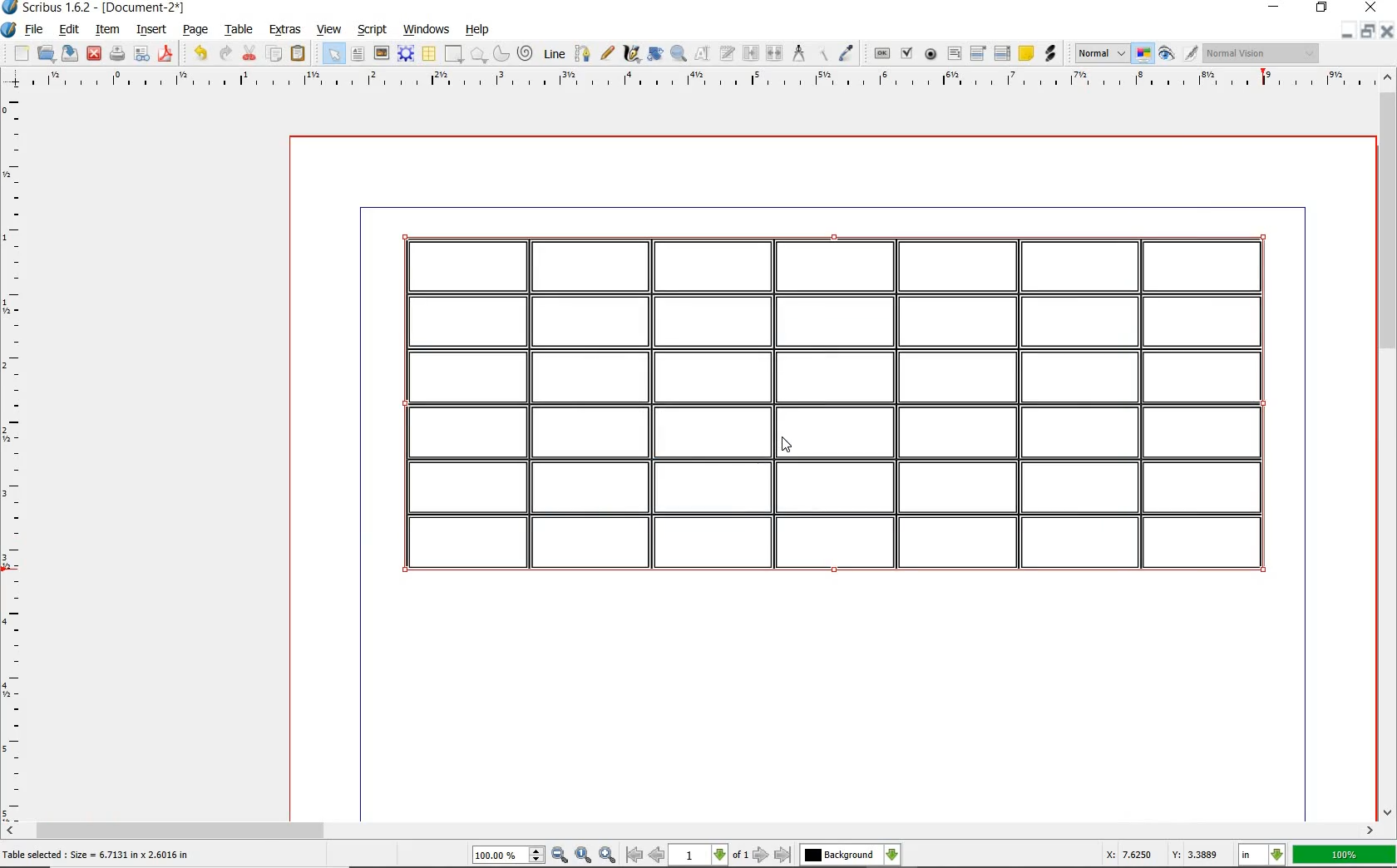 Image resolution: width=1397 pixels, height=868 pixels. Describe the element at coordinates (699, 55) in the screenshot. I see `edit contents of frame` at that location.